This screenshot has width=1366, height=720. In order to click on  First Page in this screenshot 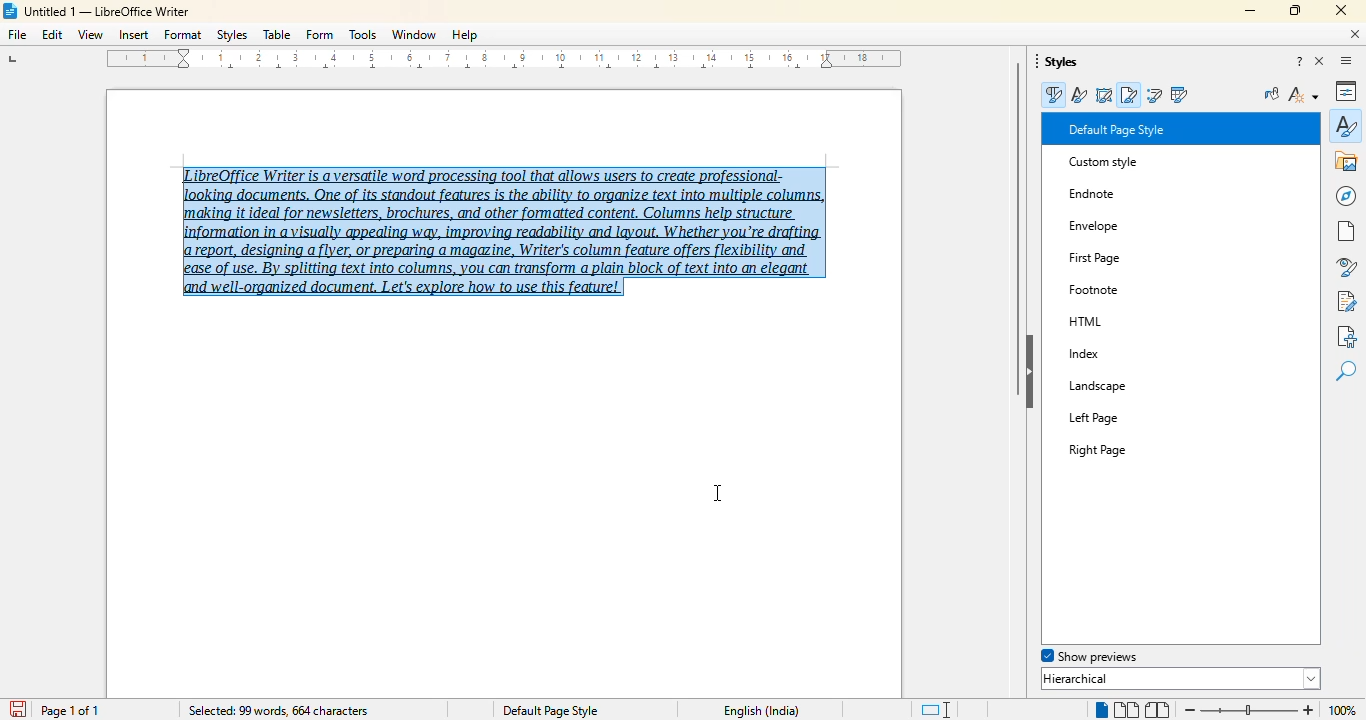, I will do `click(1117, 221)`.